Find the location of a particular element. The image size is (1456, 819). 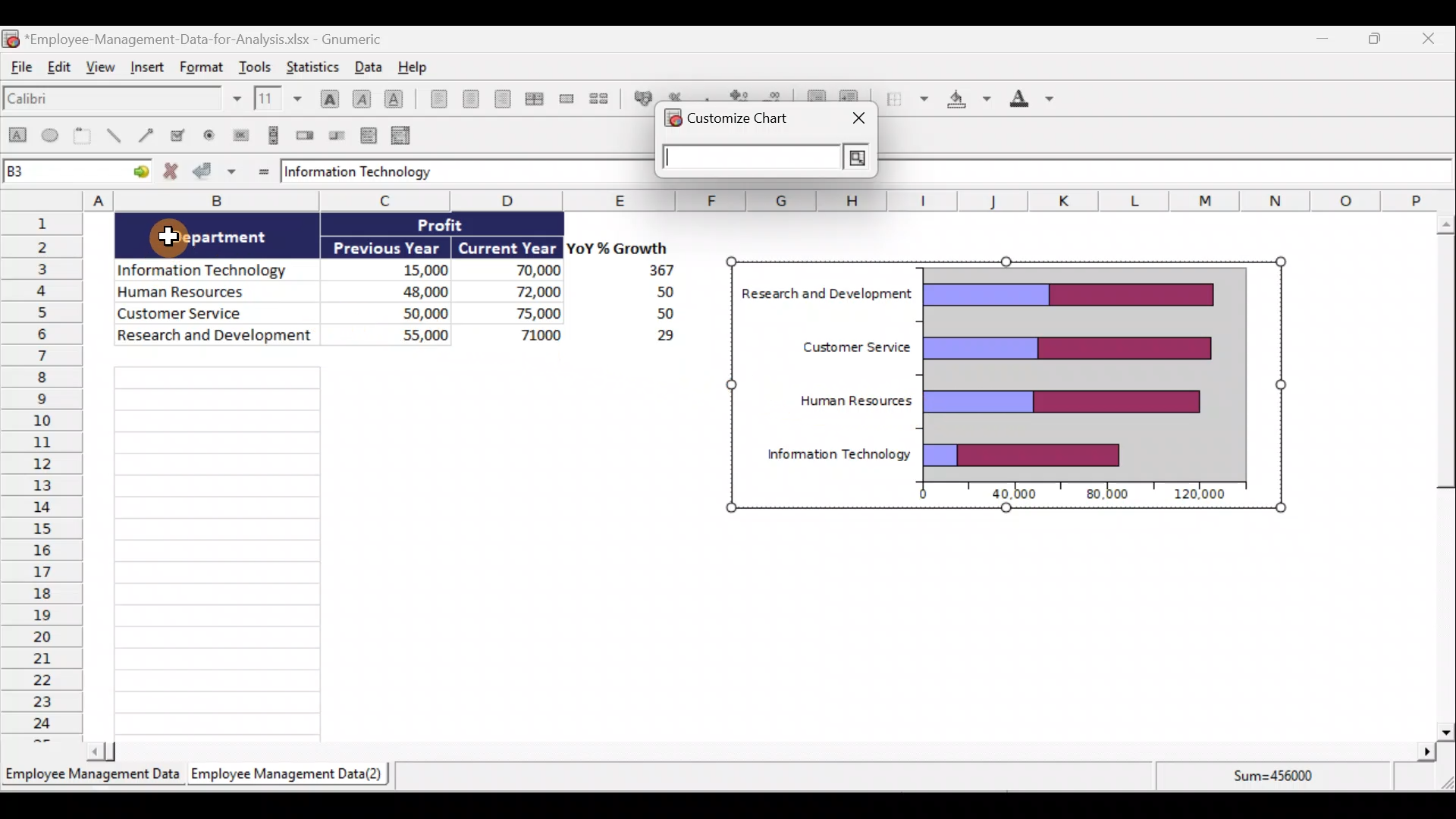

75,000 is located at coordinates (525, 314).